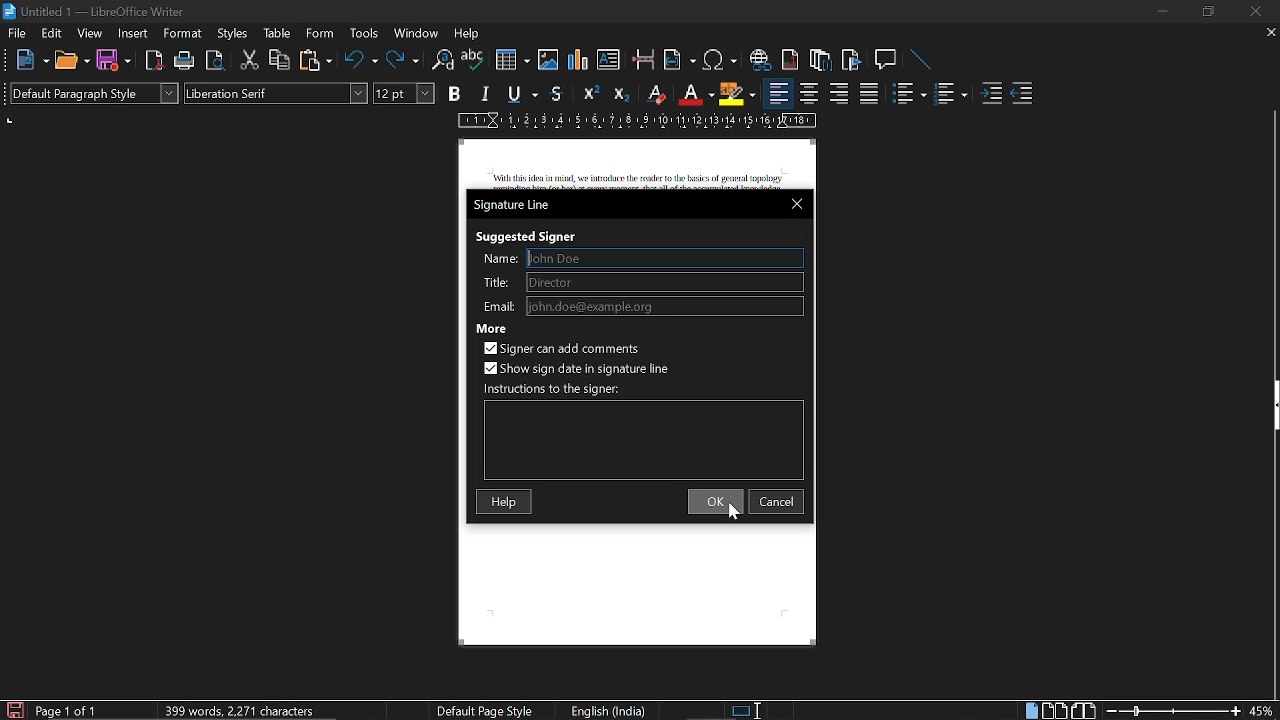  Describe the element at coordinates (522, 95) in the screenshot. I see `underline` at that location.